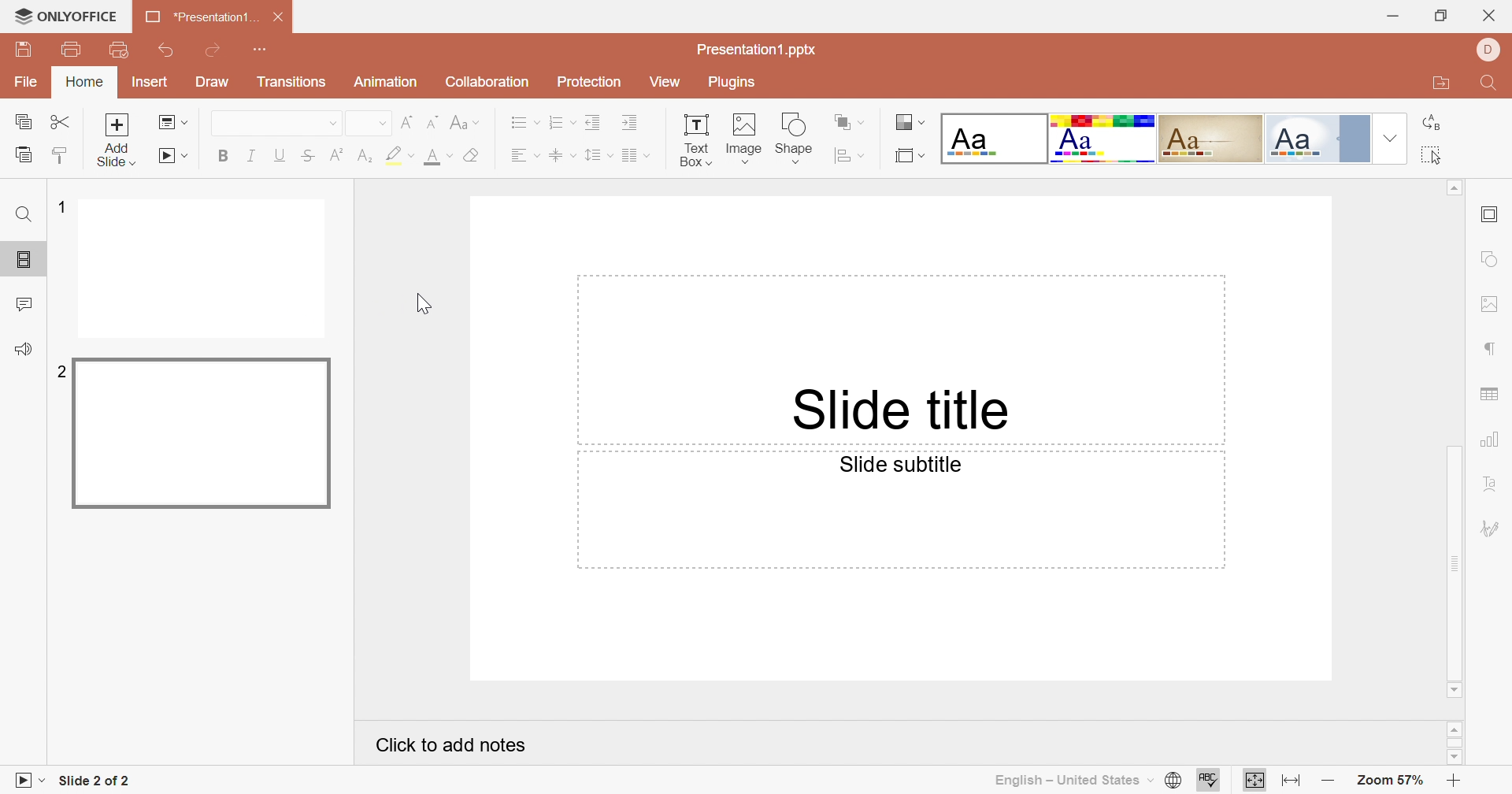  I want to click on Highlight color, so click(391, 153).